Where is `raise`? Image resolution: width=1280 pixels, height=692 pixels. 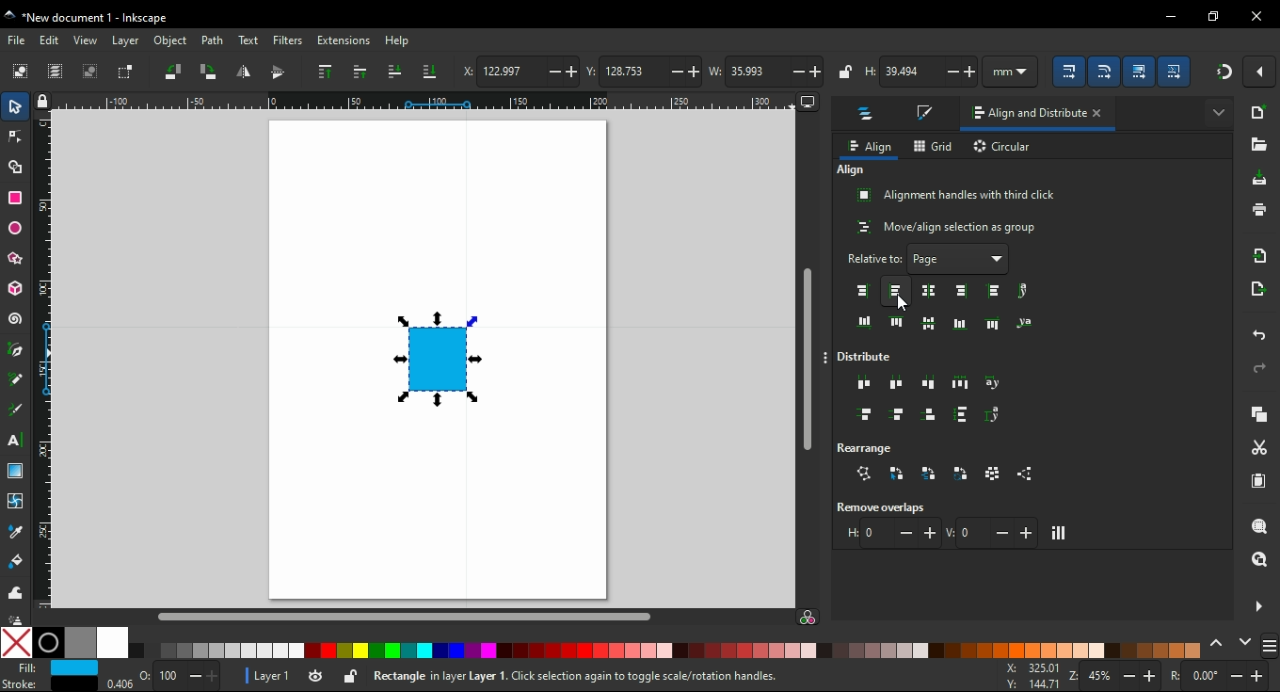 raise is located at coordinates (362, 72).